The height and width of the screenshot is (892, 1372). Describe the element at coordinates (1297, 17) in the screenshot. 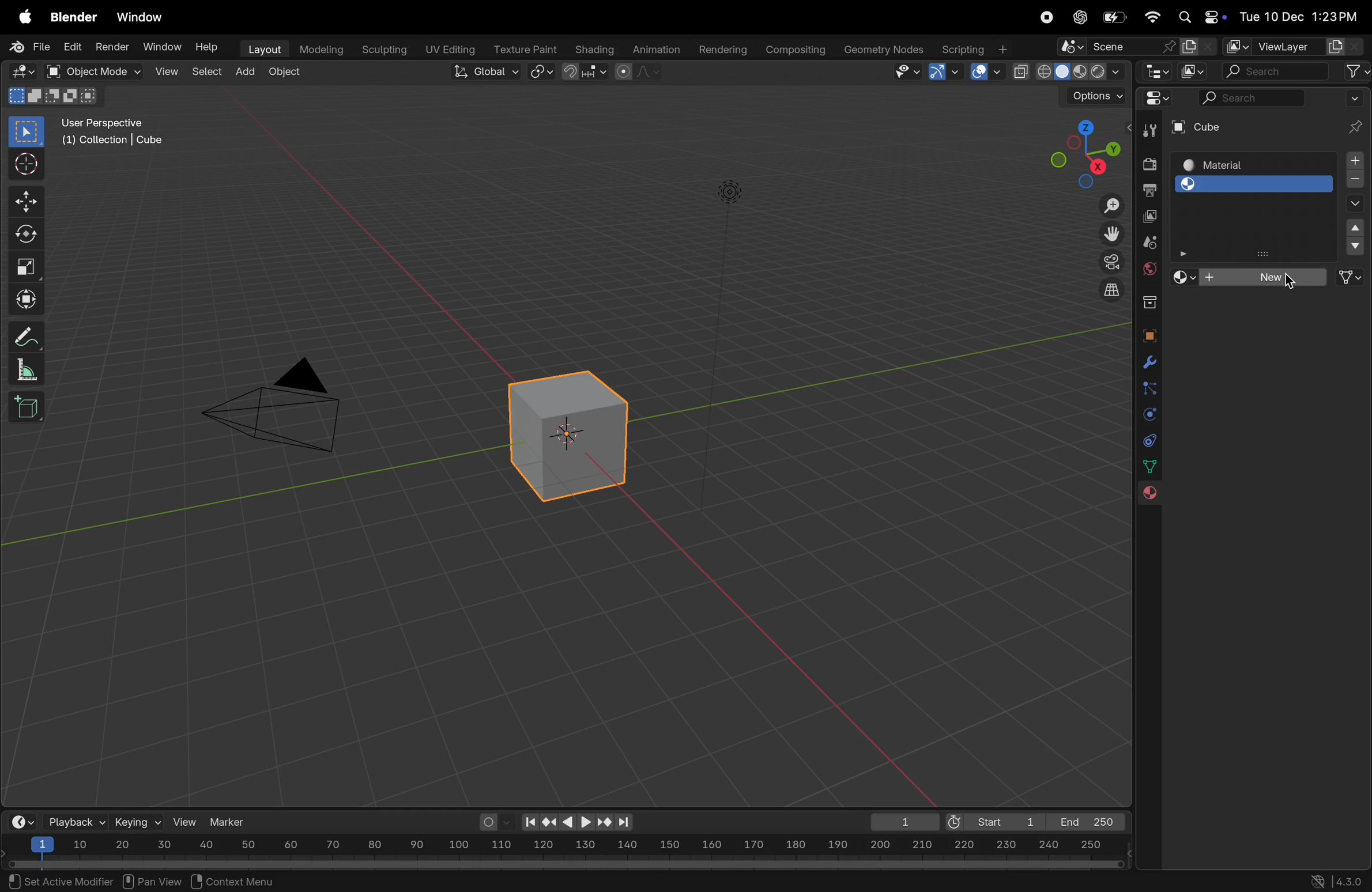

I see `Tue 12 dec 1.23 pm` at that location.